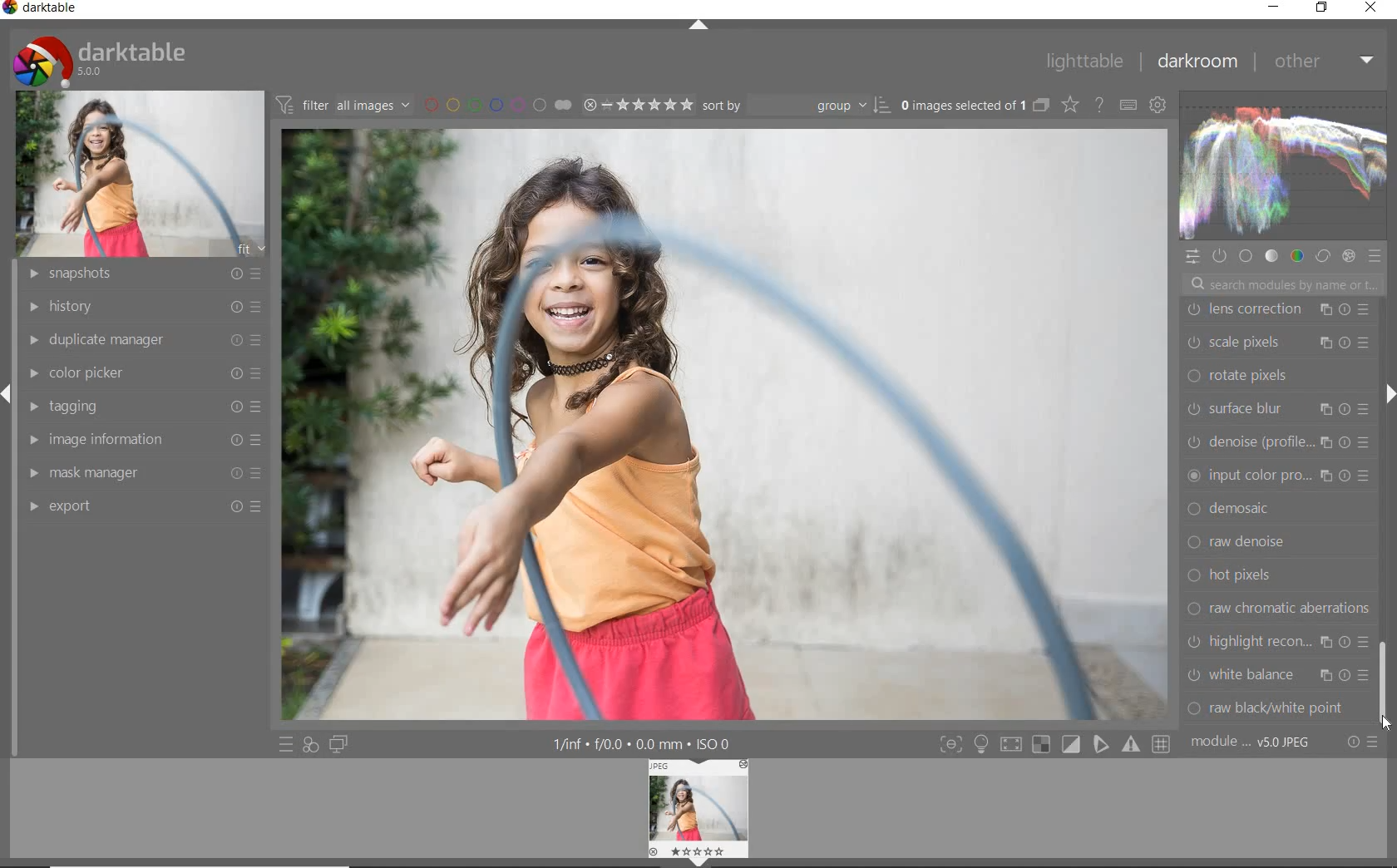  What do you see at coordinates (496, 104) in the screenshot?
I see `filter by image color label` at bounding box center [496, 104].